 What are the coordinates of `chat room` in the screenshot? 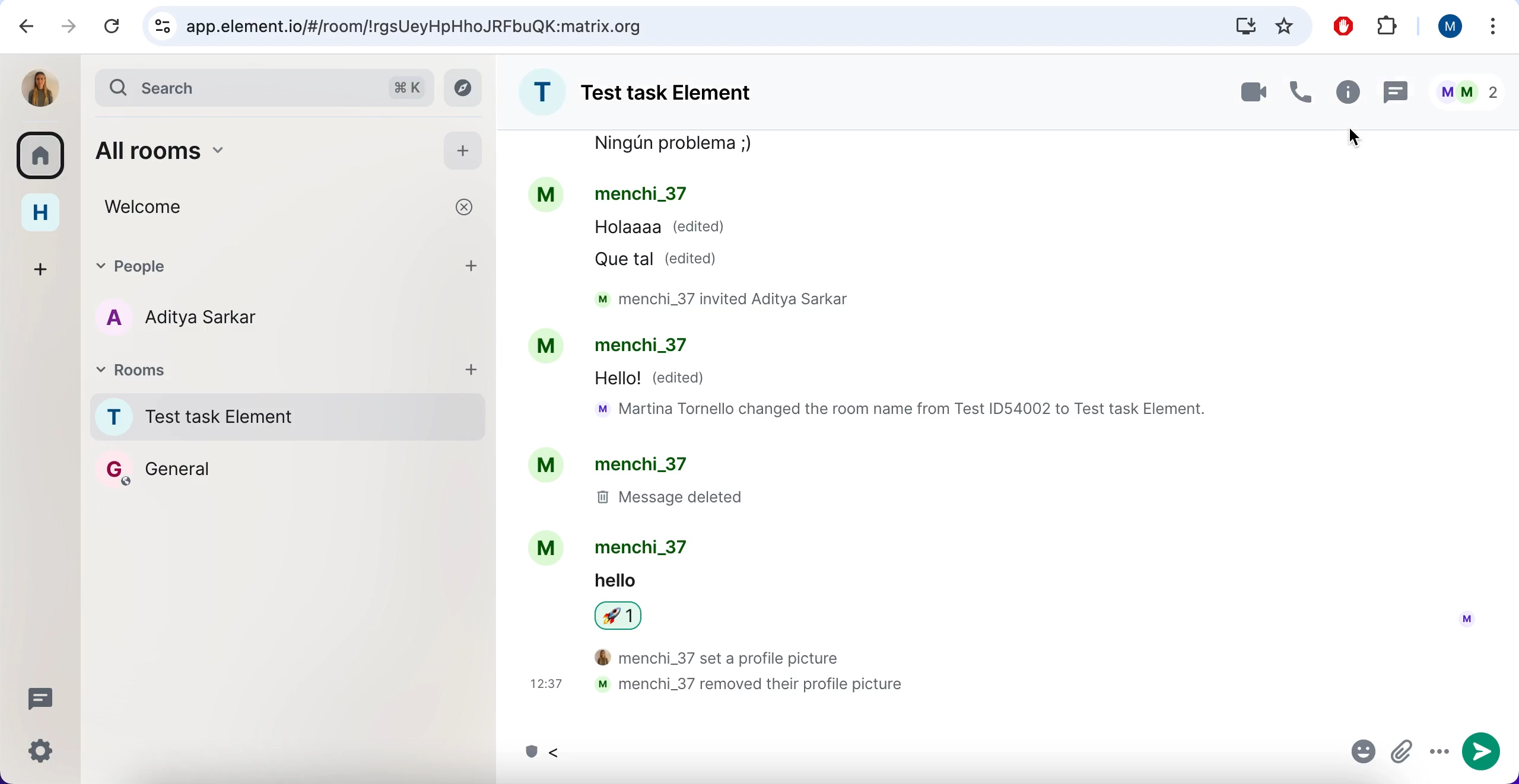 It's located at (291, 419).